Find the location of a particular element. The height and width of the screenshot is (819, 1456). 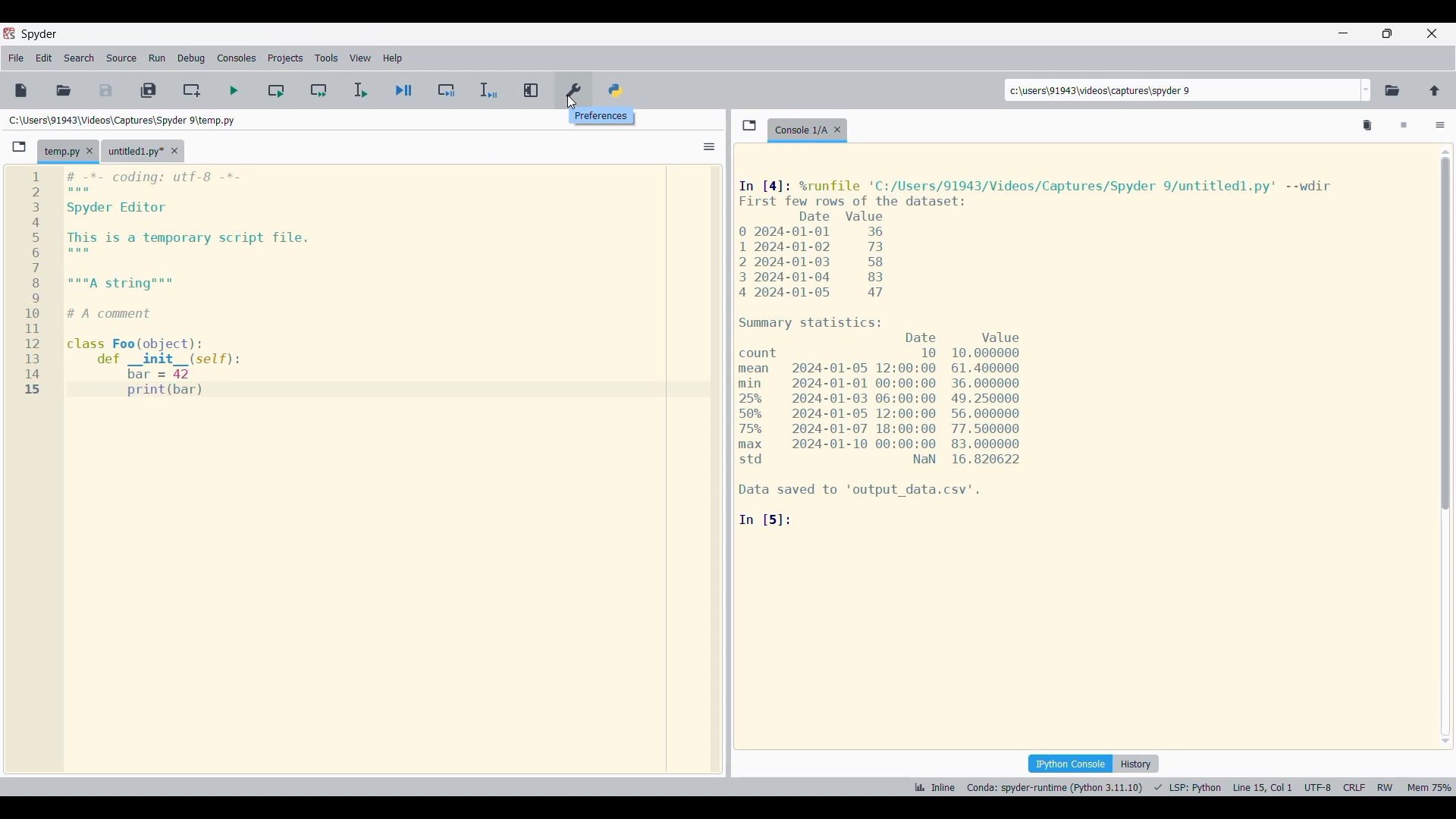

Close tab is located at coordinates (837, 130).